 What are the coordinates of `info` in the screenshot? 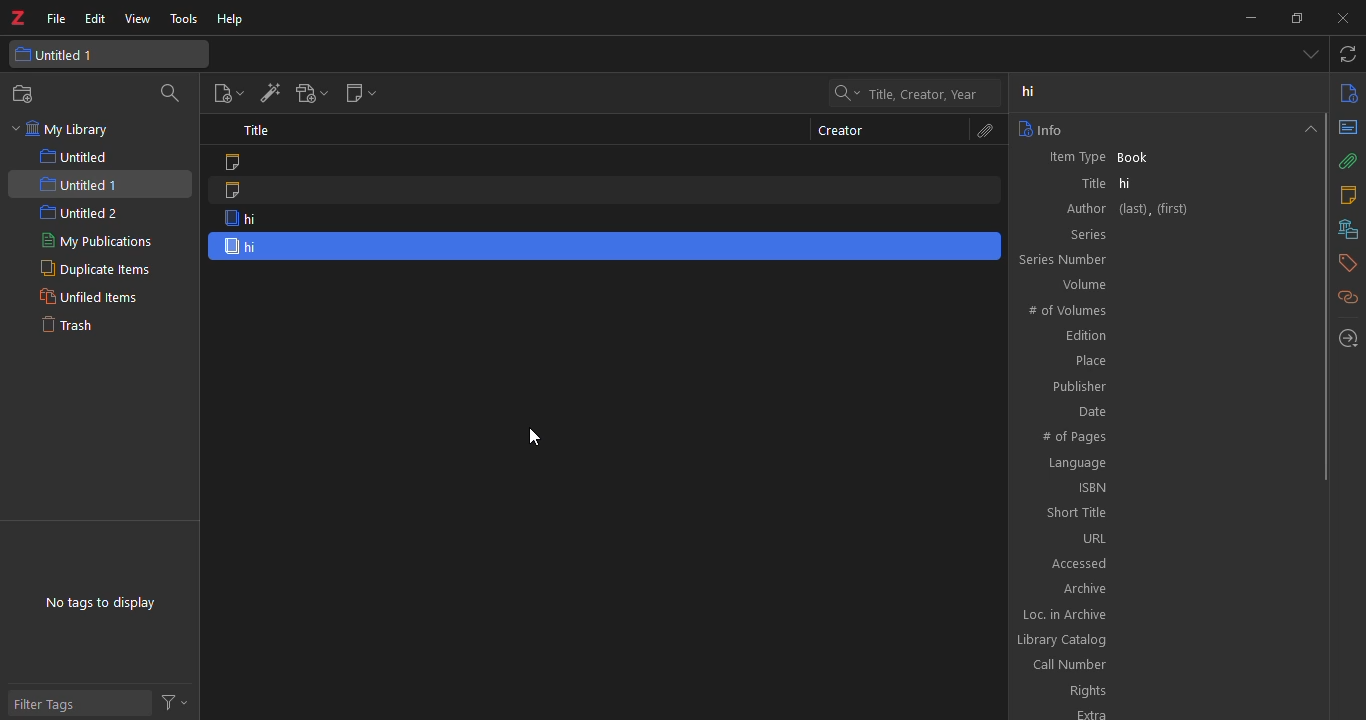 It's located at (1350, 92).